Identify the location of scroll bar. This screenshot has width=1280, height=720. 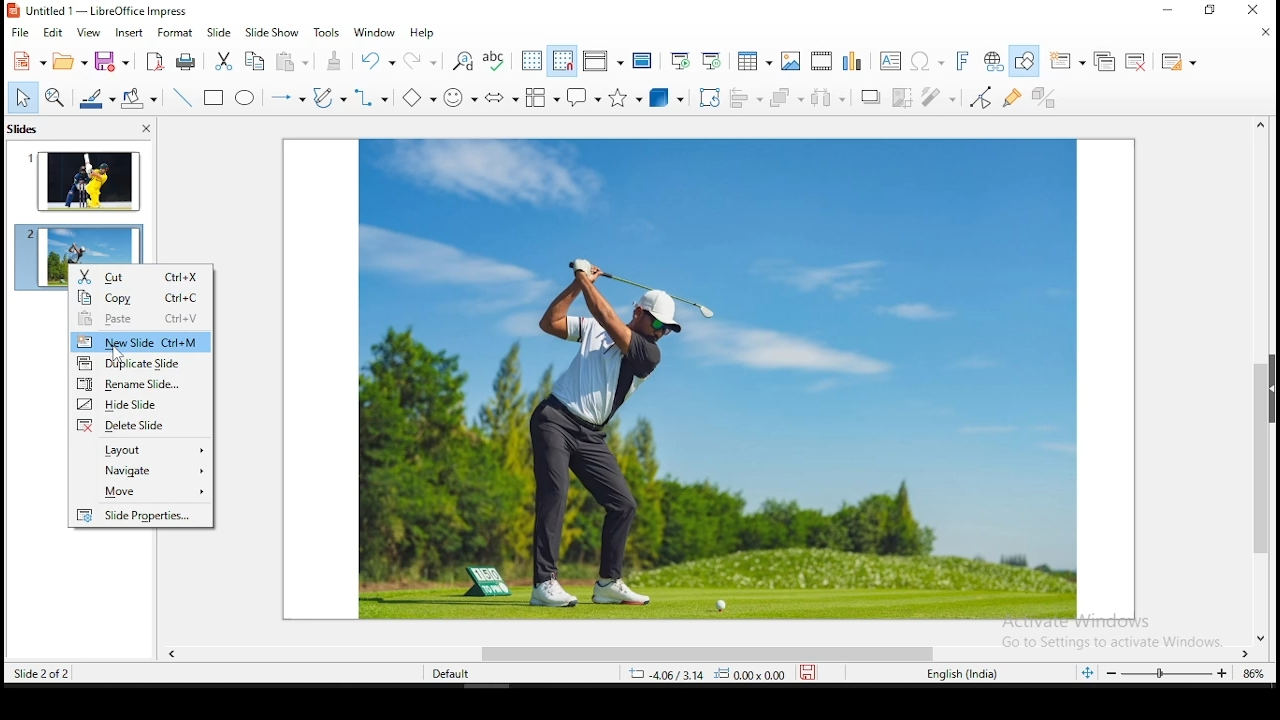
(712, 653).